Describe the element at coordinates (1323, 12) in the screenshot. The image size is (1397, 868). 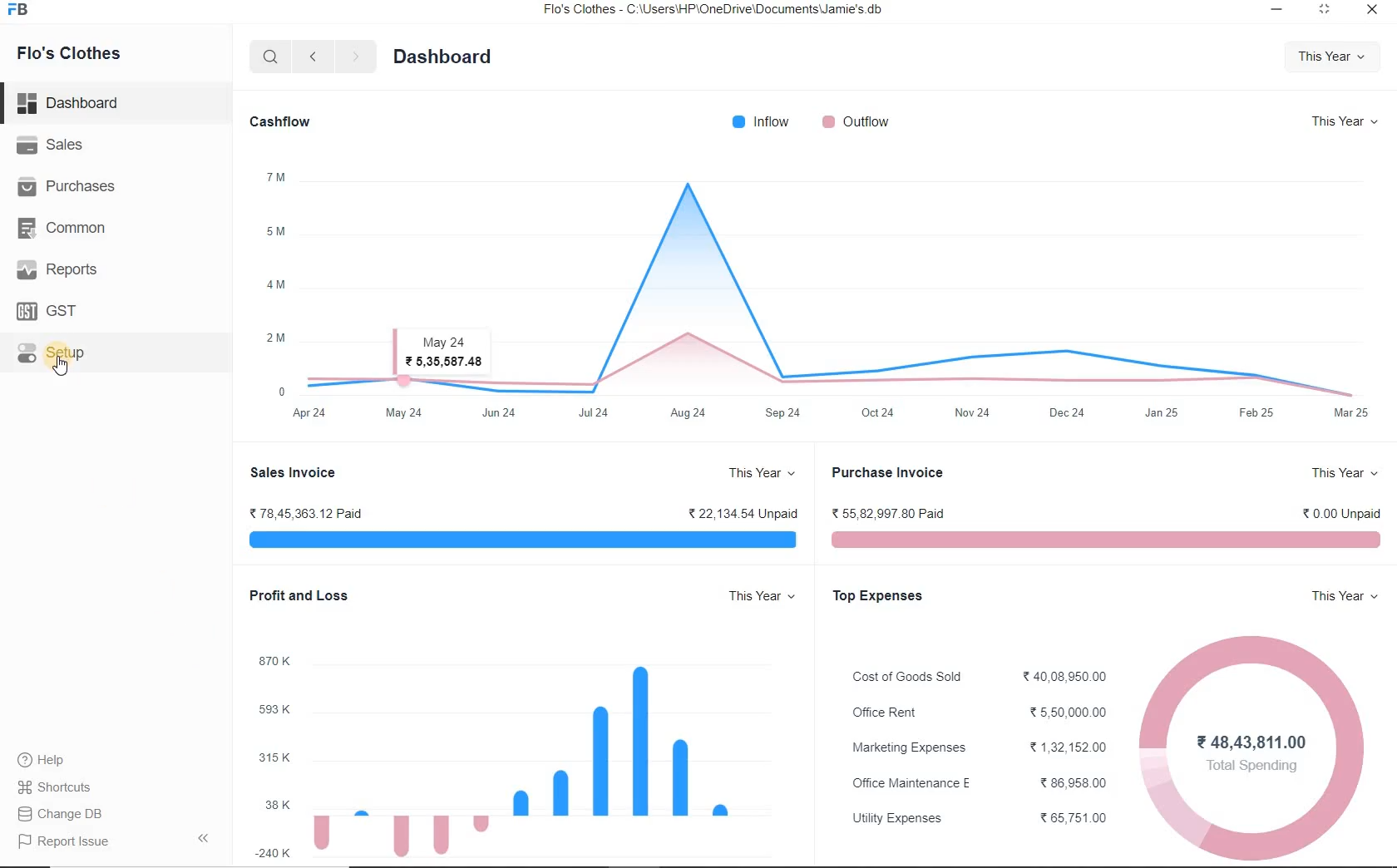
I see `restore down` at that location.